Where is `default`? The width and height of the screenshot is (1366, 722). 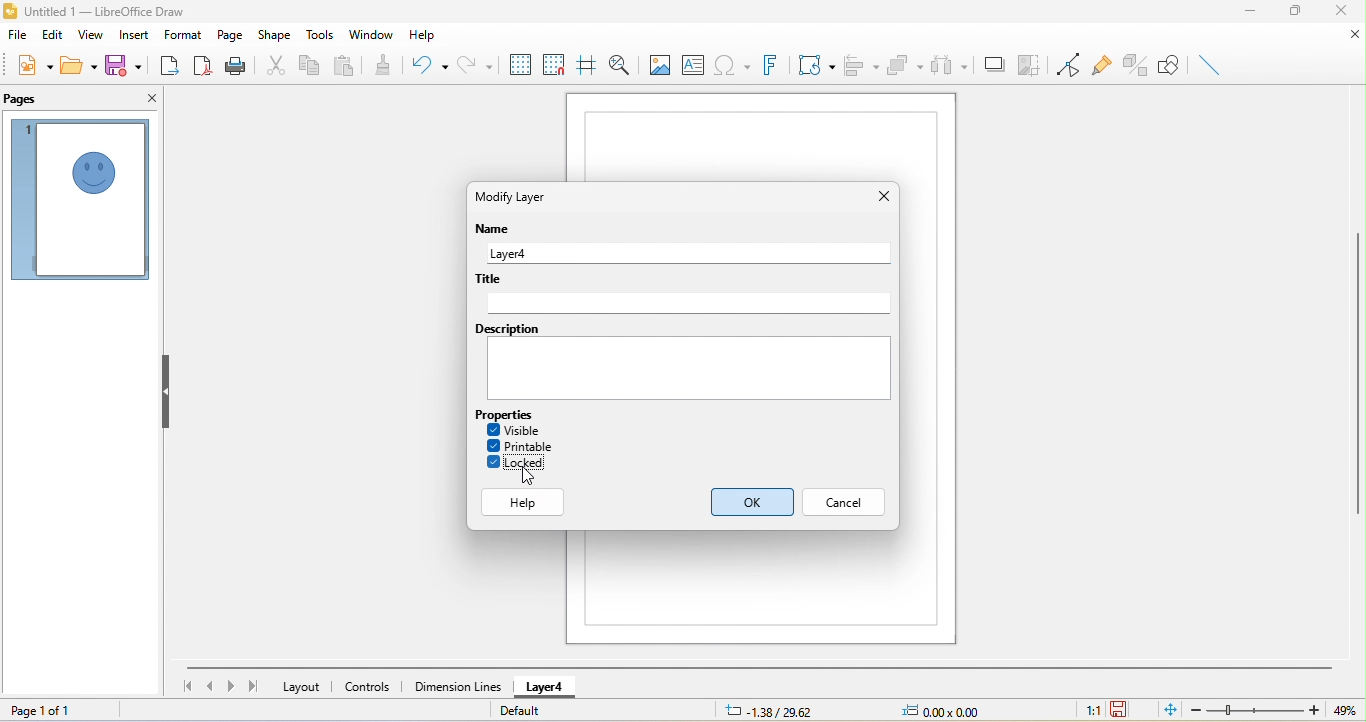 default is located at coordinates (526, 710).